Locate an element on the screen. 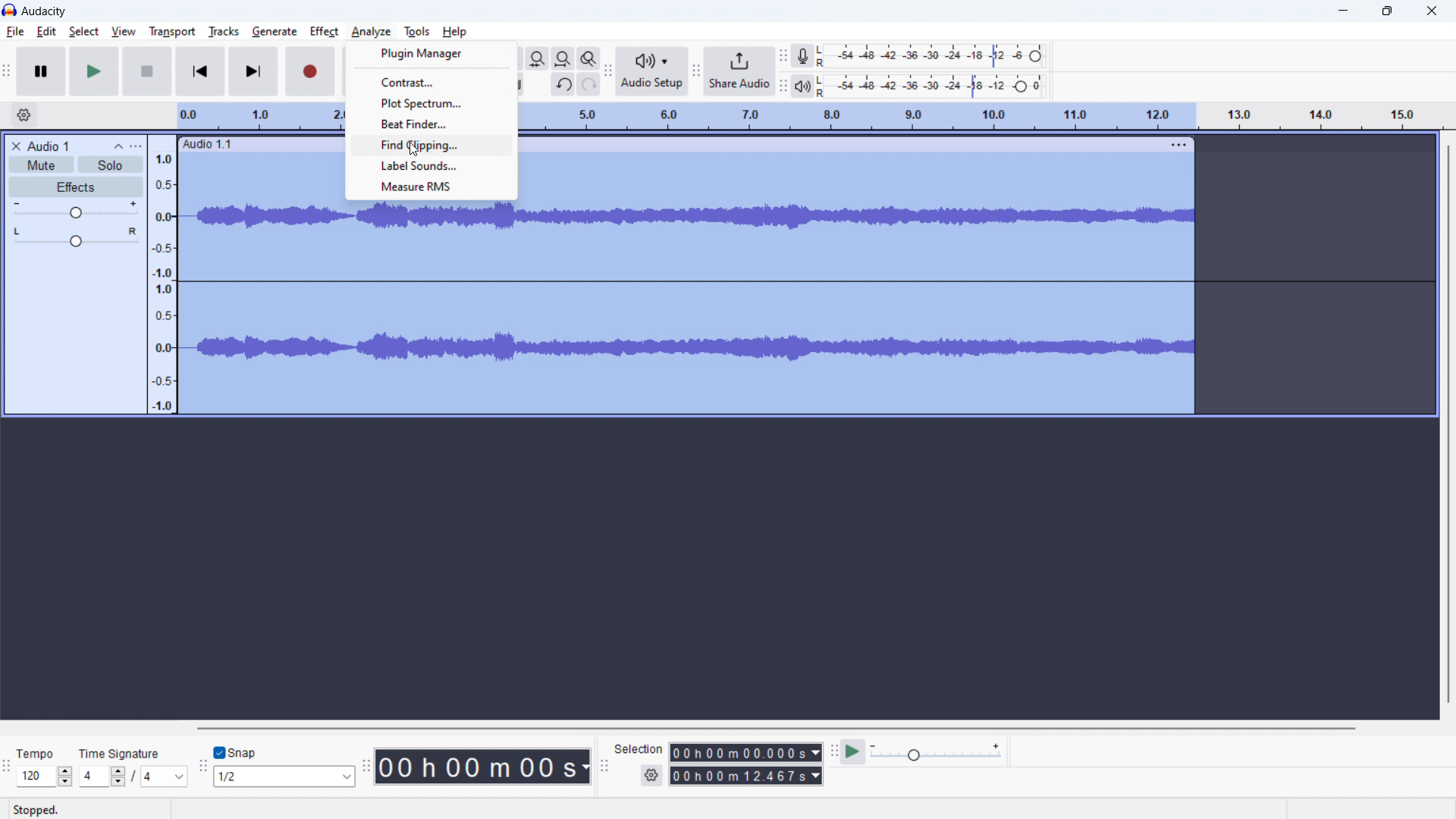  transport is located at coordinates (173, 32).